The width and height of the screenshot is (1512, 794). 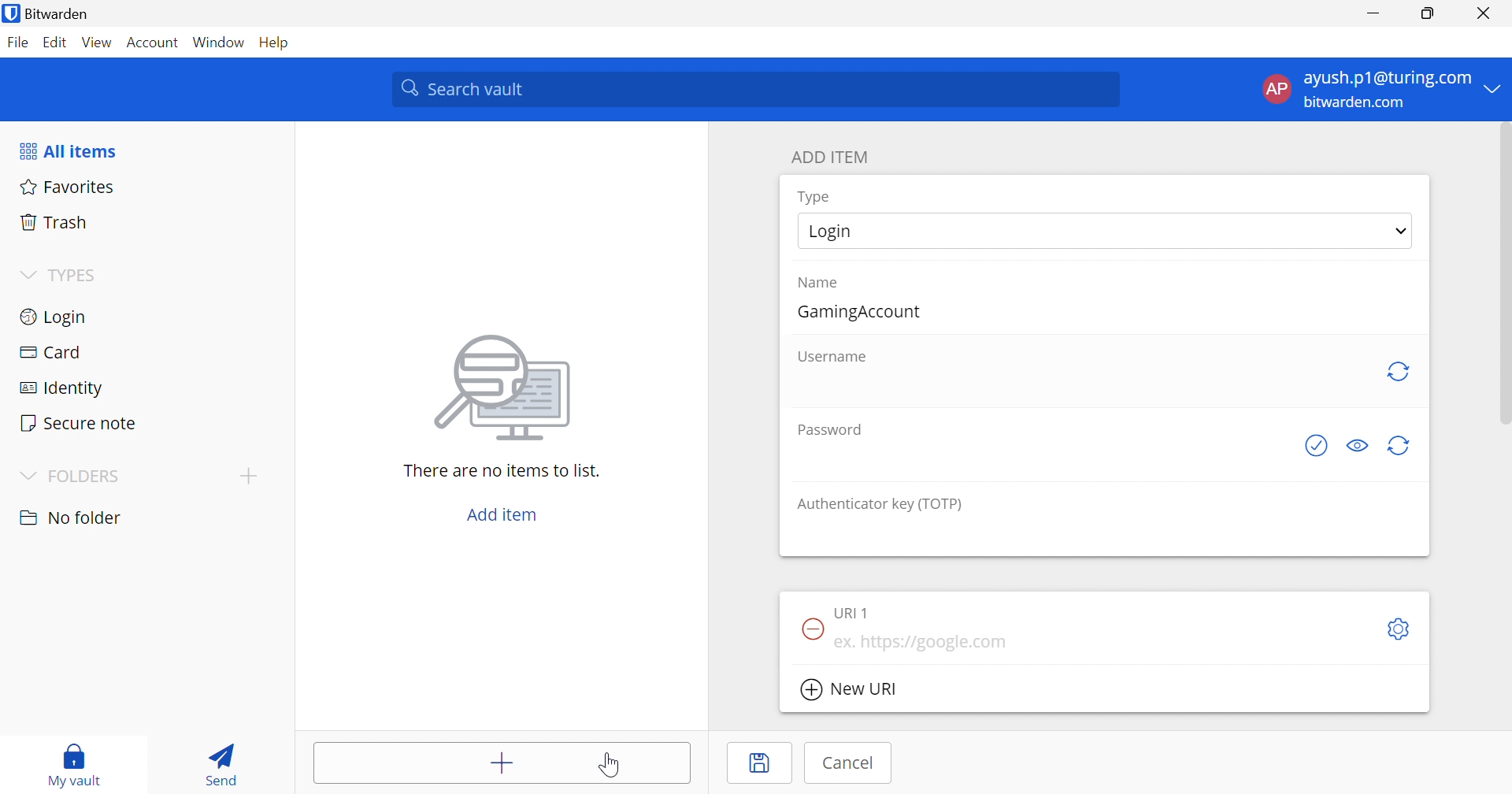 I want to click on Login, so click(x=55, y=317).